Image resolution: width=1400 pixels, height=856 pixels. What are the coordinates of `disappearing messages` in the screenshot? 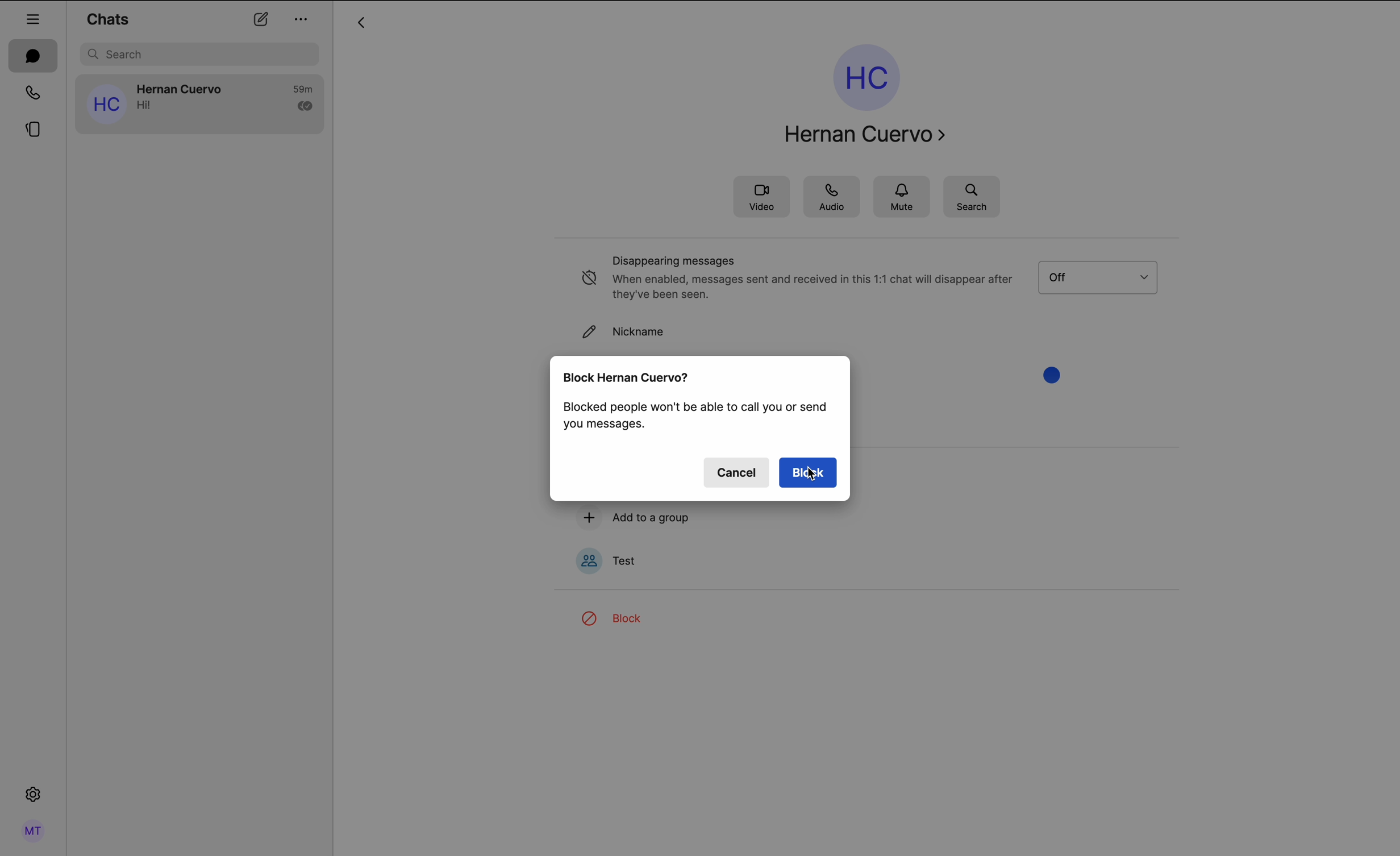 It's located at (872, 278).